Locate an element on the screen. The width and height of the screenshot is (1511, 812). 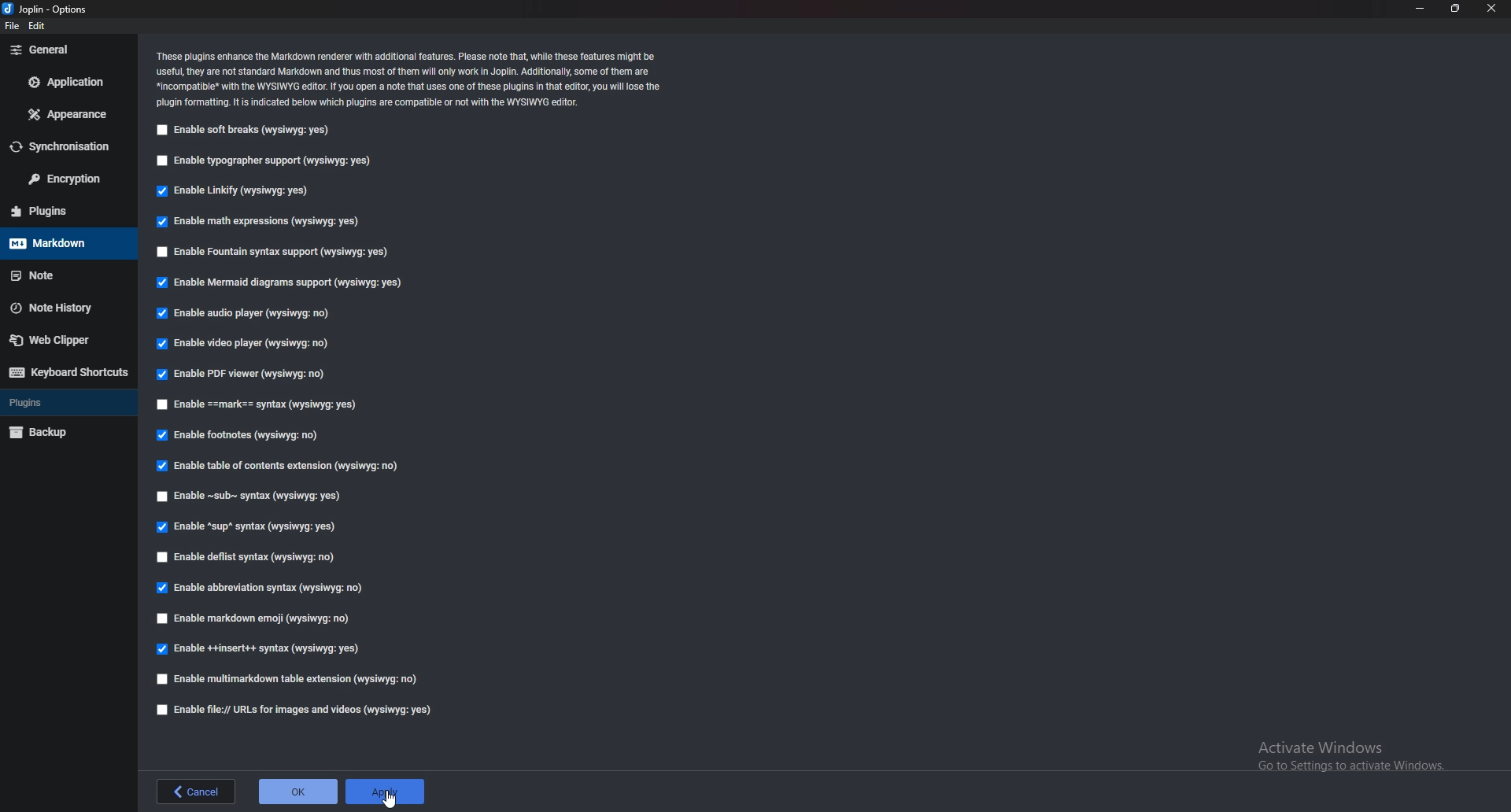
back is located at coordinates (196, 792).